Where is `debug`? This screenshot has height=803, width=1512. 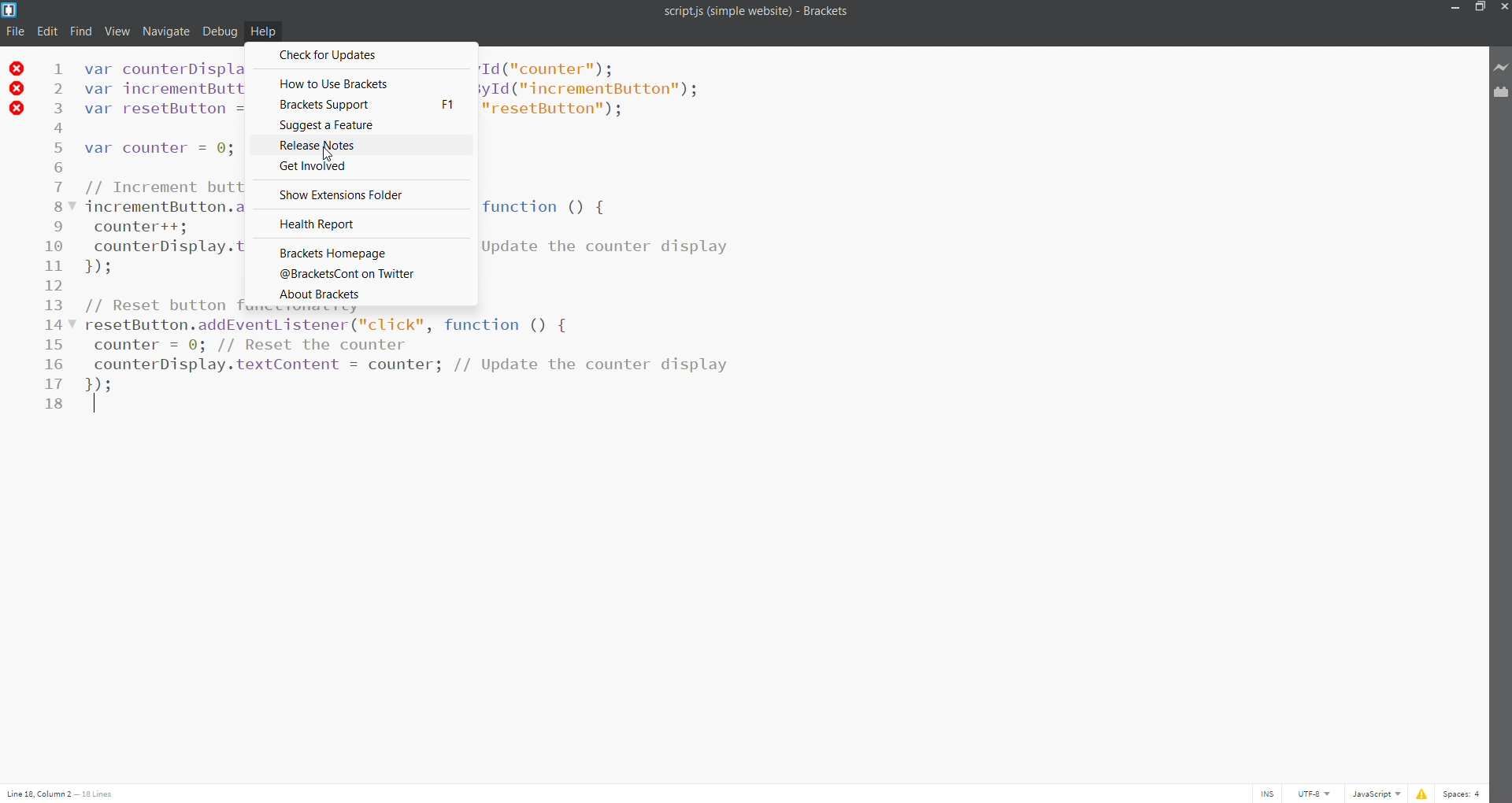 debug is located at coordinates (220, 31).